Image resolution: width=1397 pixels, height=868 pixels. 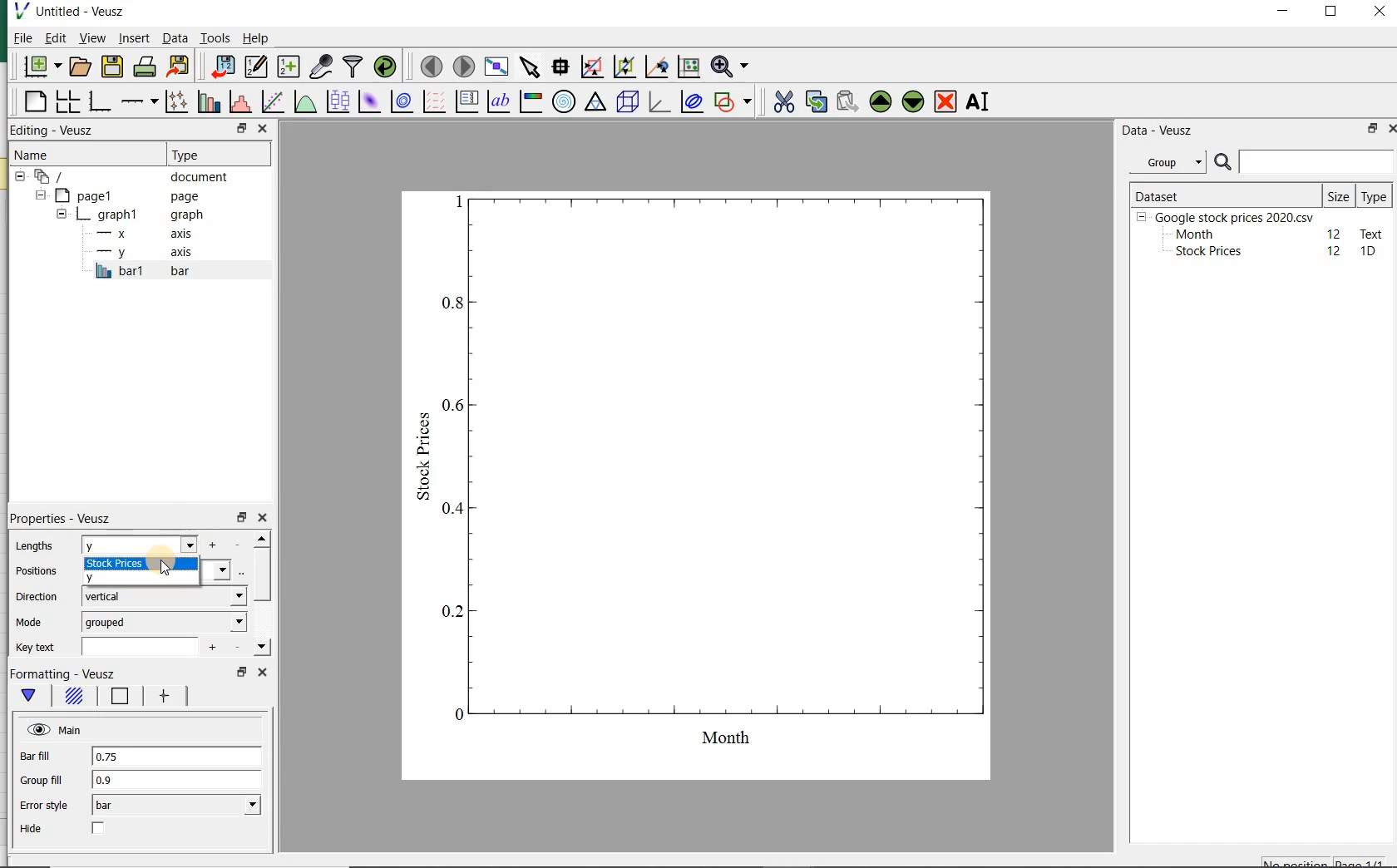 What do you see at coordinates (262, 519) in the screenshot?
I see `close` at bounding box center [262, 519].